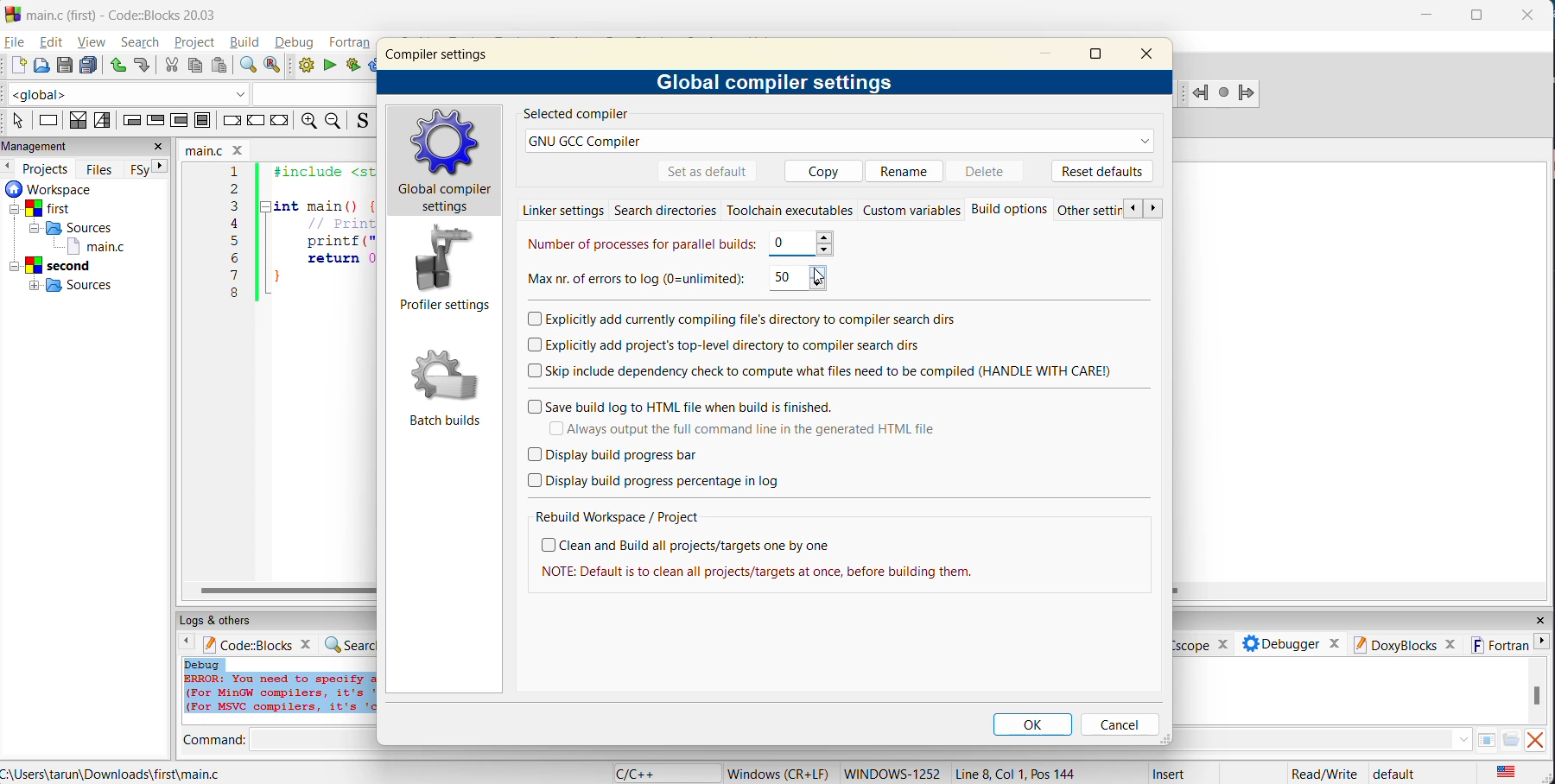  Describe the element at coordinates (246, 44) in the screenshot. I see `build` at that location.